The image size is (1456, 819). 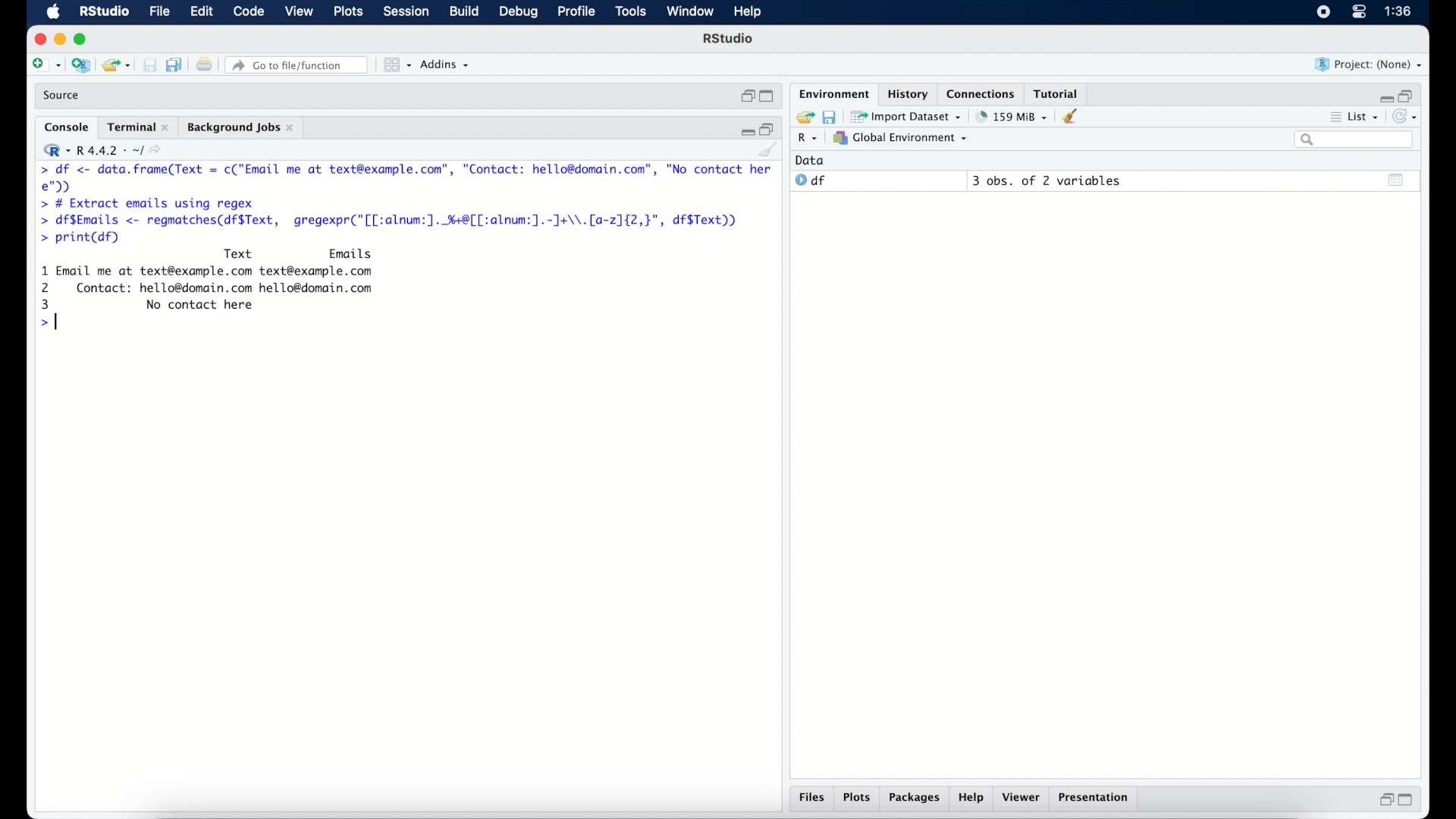 I want to click on window, so click(x=691, y=13).